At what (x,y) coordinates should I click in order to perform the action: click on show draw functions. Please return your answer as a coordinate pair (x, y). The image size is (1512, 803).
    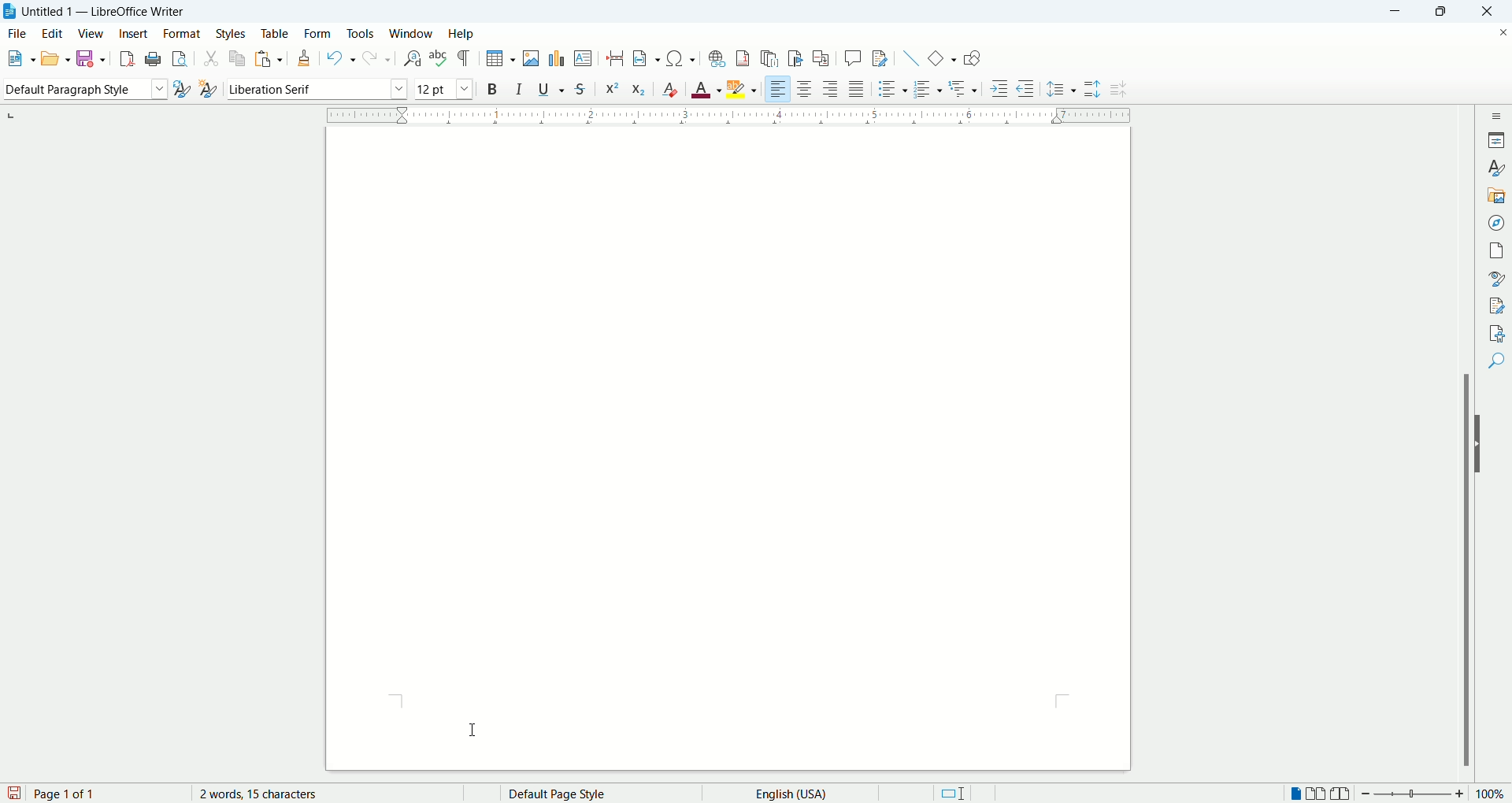
    Looking at the image, I should click on (972, 60).